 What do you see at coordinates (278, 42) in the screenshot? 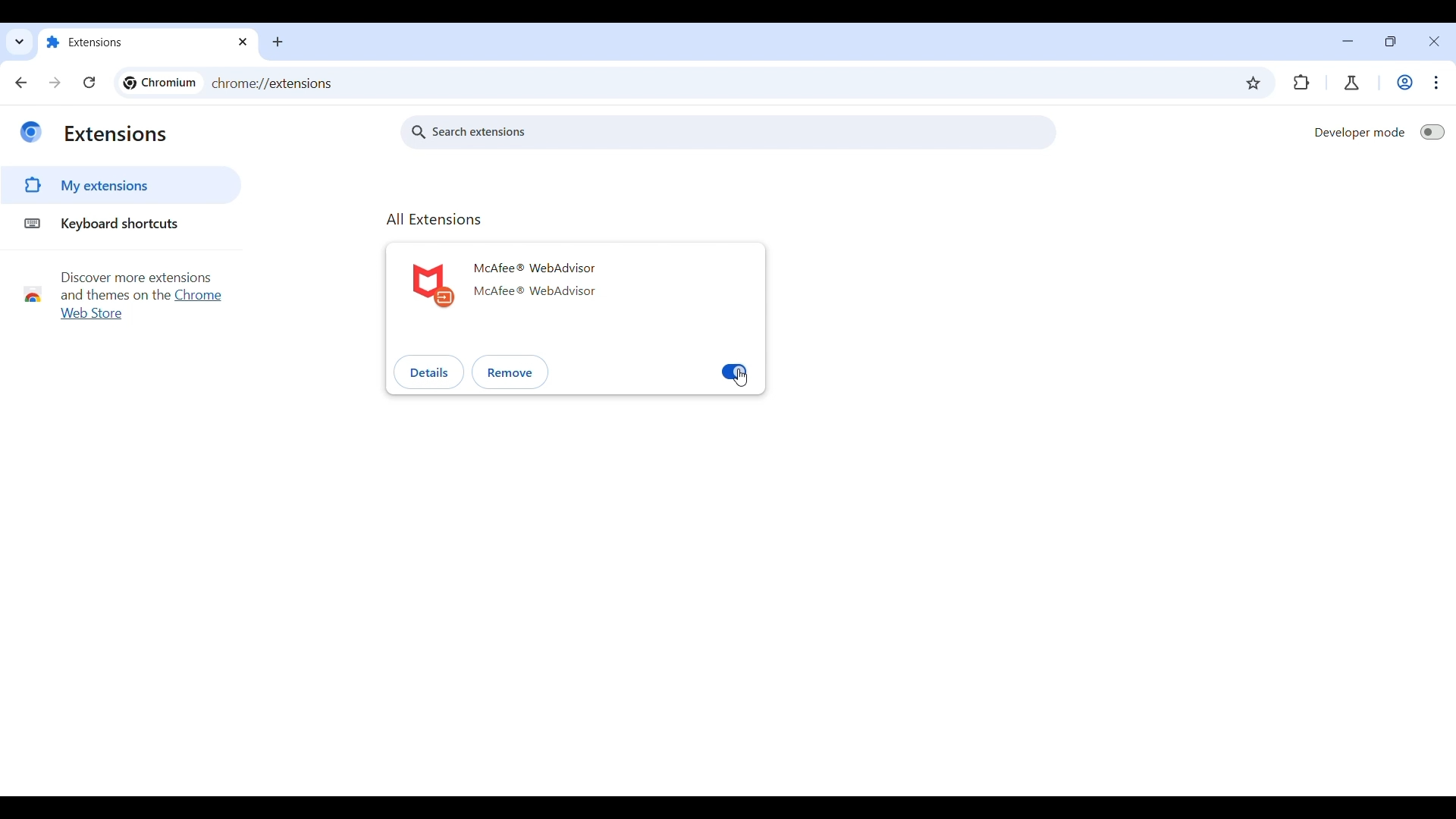
I see `Add new tab` at bounding box center [278, 42].